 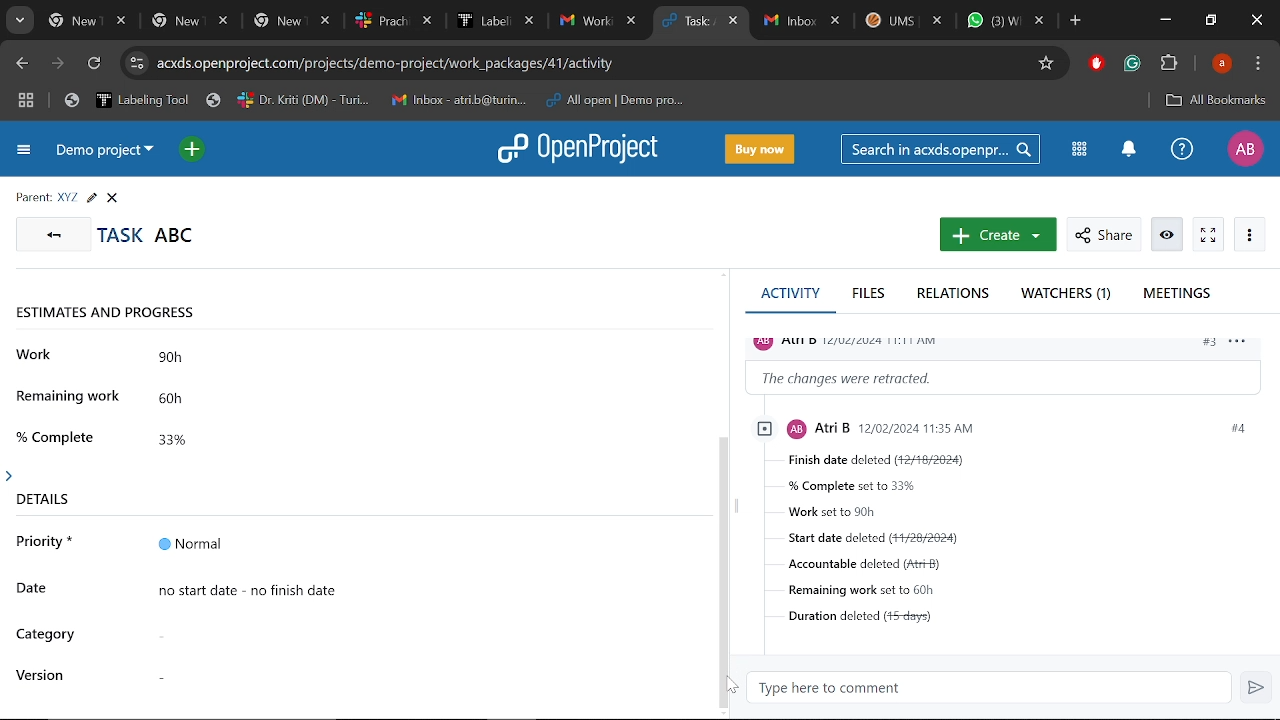 What do you see at coordinates (1212, 20) in the screenshot?
I see `Restore down` at bounding box center [1212, 20].